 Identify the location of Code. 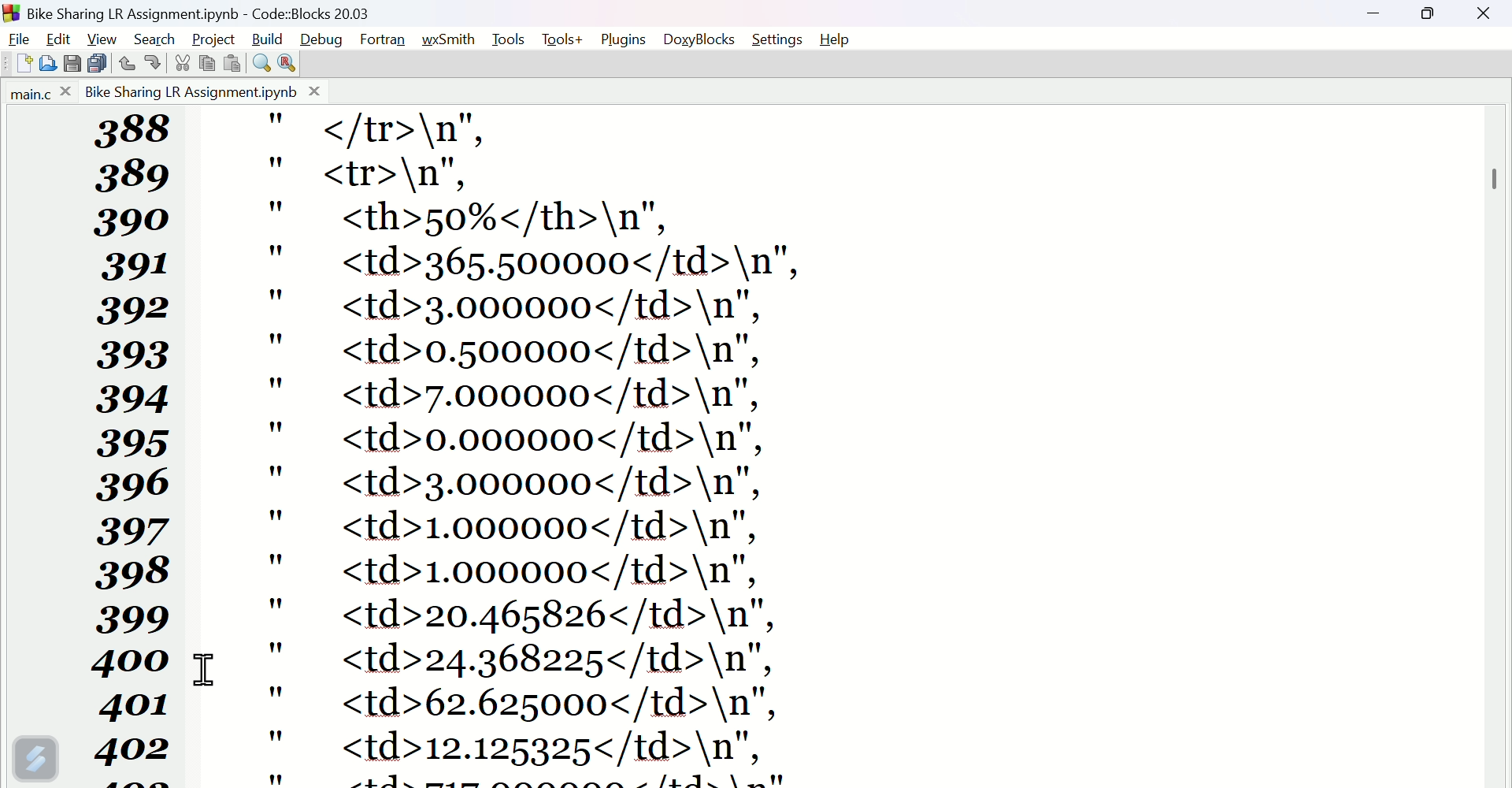
(856, 446).